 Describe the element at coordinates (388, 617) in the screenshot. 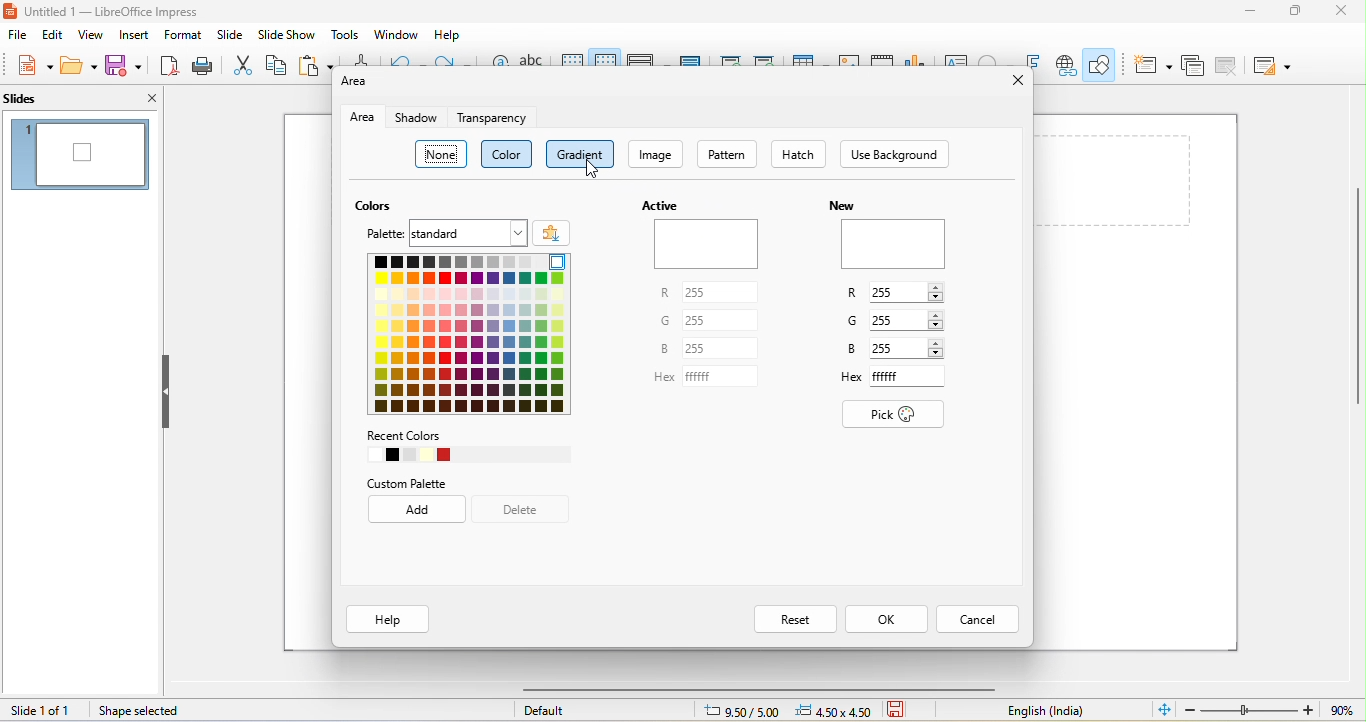

I see `help` at that location.